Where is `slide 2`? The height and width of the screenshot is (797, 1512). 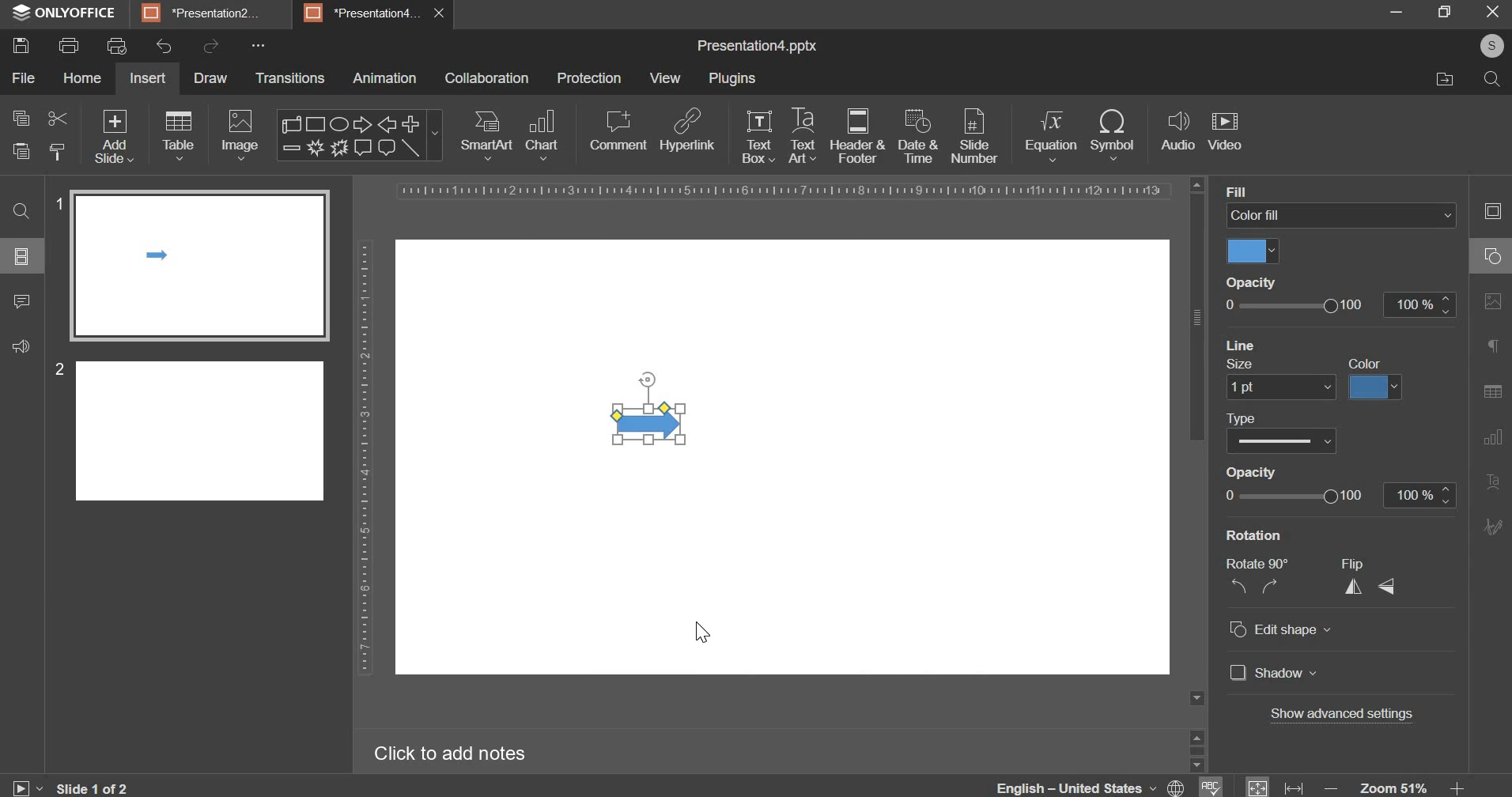
slide 2 is located at coordinates (191, 427).